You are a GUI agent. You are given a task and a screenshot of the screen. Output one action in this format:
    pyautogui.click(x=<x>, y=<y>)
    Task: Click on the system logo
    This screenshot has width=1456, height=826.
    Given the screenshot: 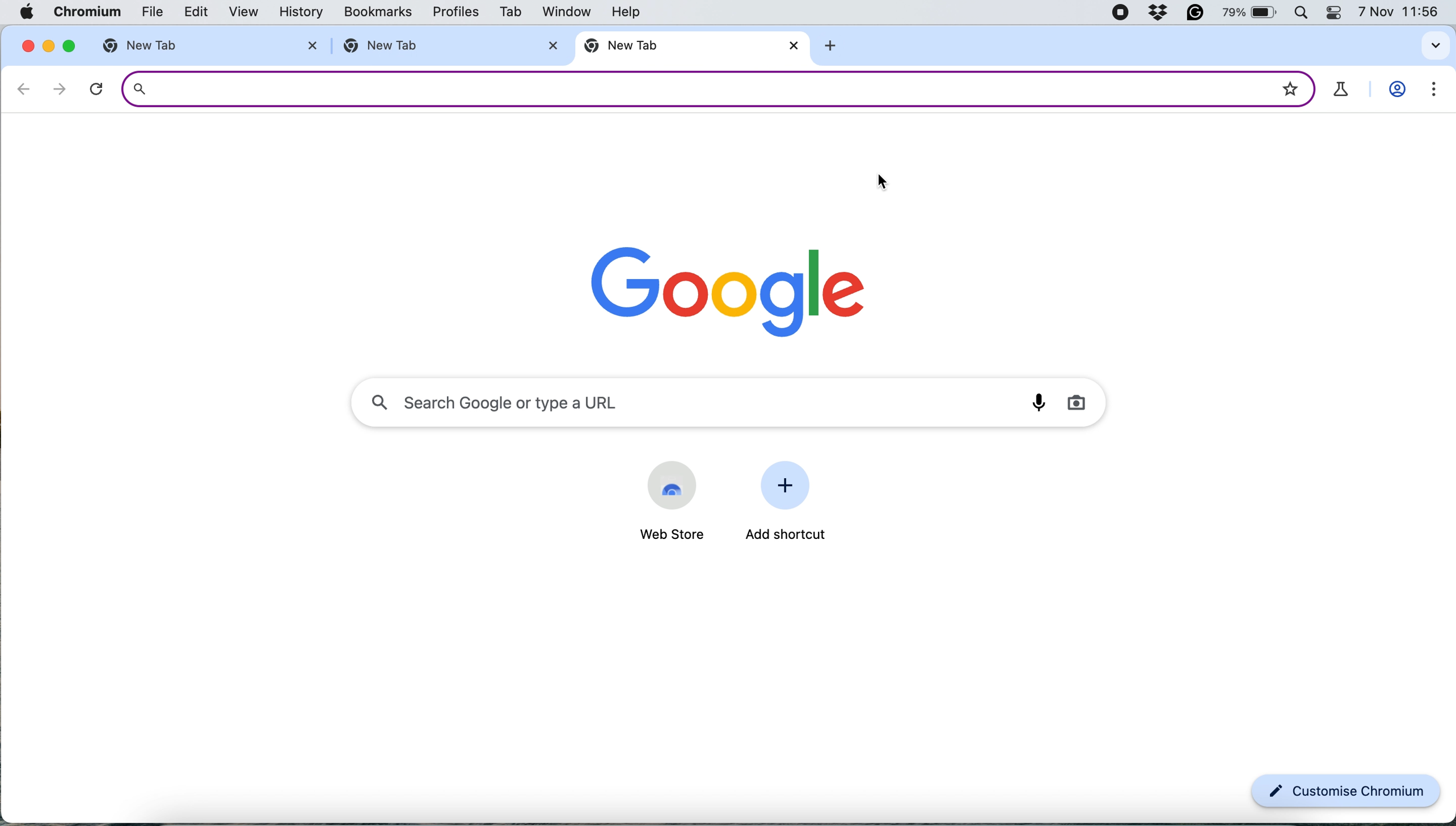 What is the action you would take?
    pyautogui.click(x=31, y=11)
    